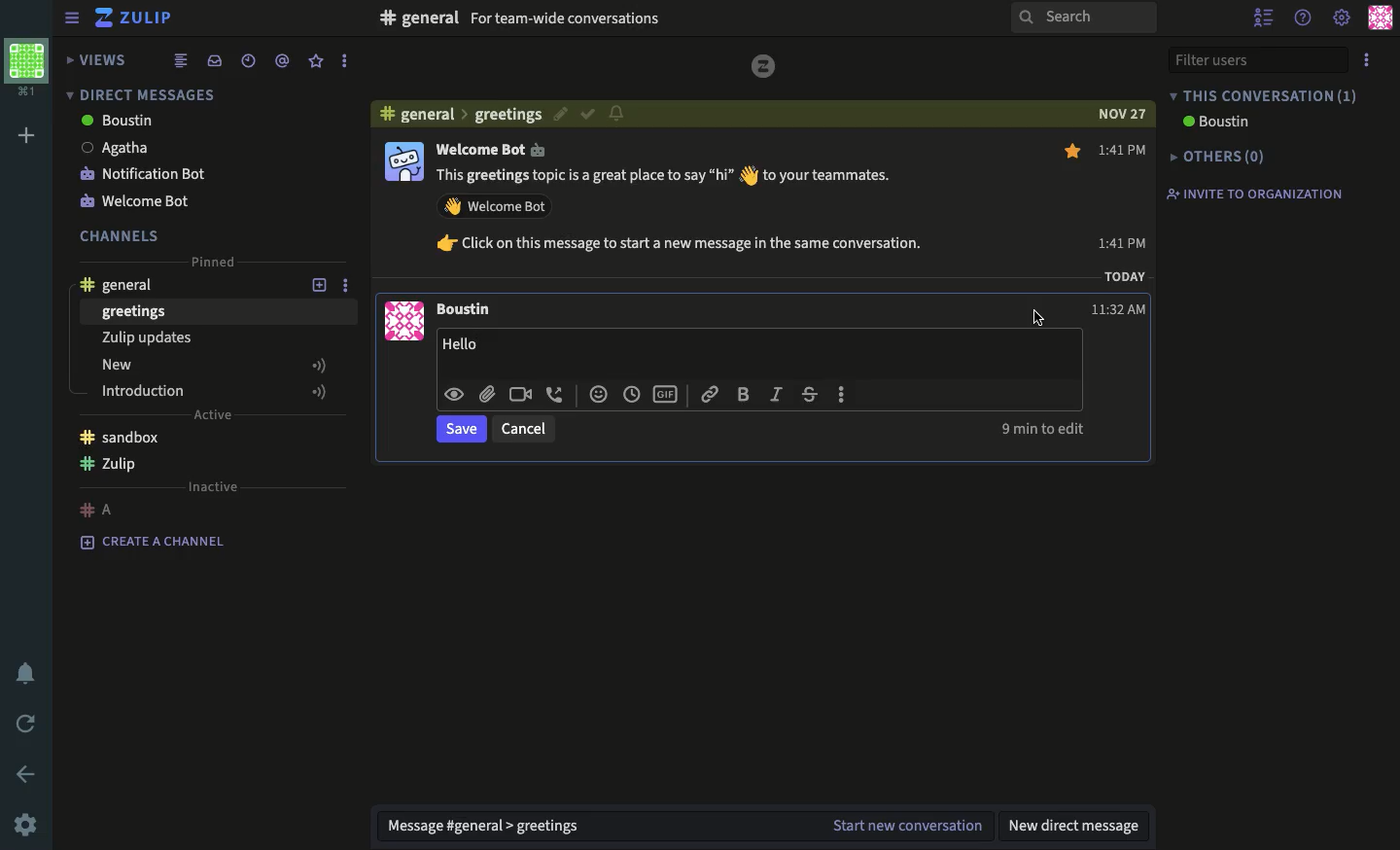  Describe the element at coordinates (454, 397) in the screenshot. I see `visible` at that location.